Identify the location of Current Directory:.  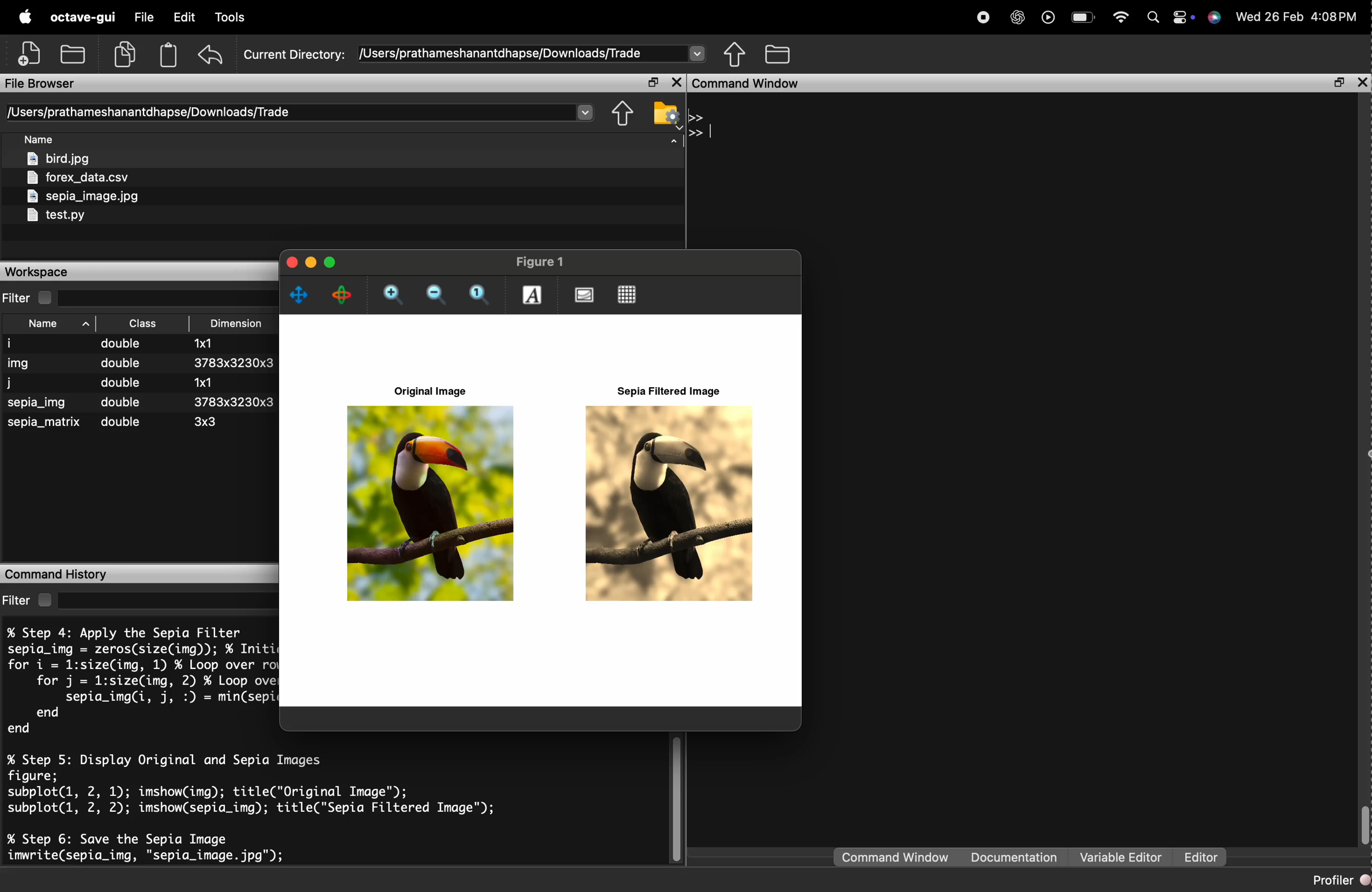
(293, 55).